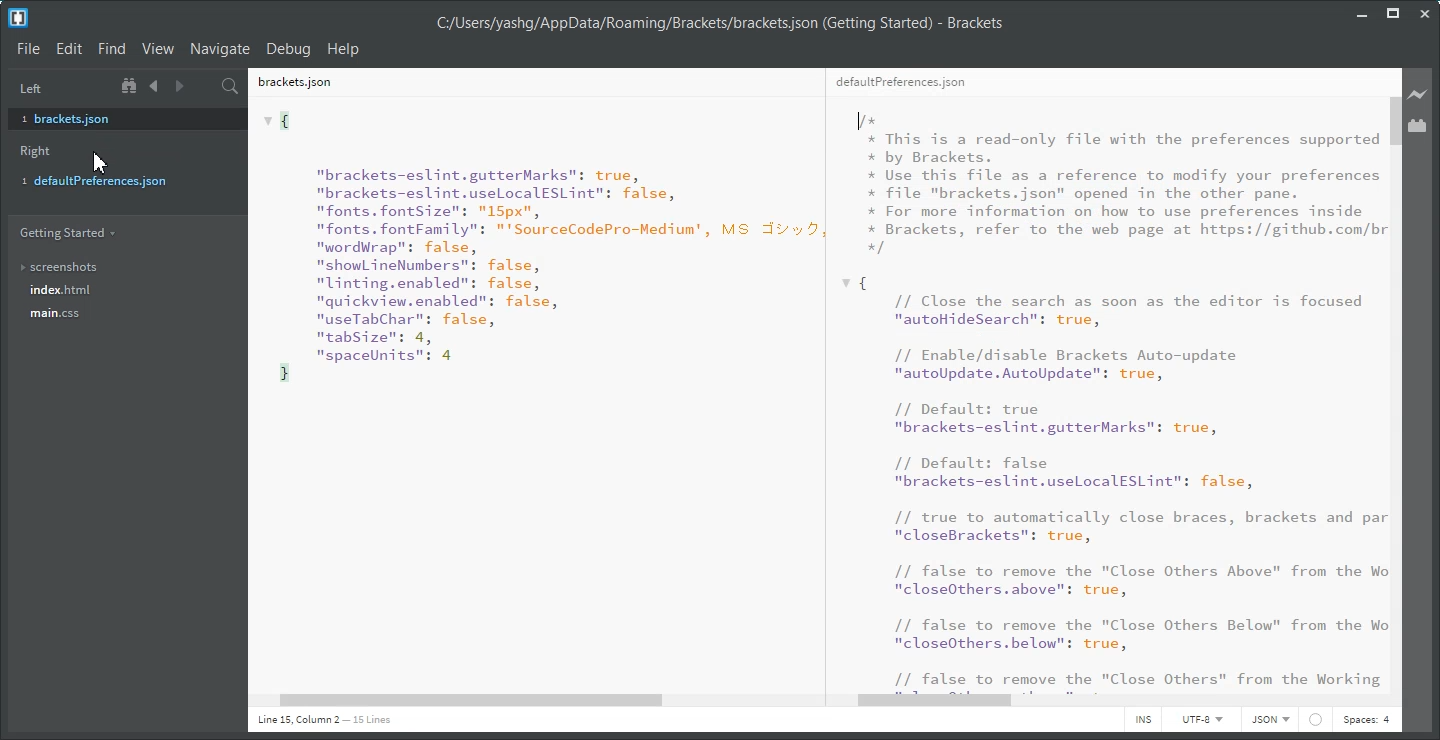 This screenshot has height=740, width=1440. Describe the element at coordinates (131, 86) in the screenshot. I see `Show in file tree` at that location.